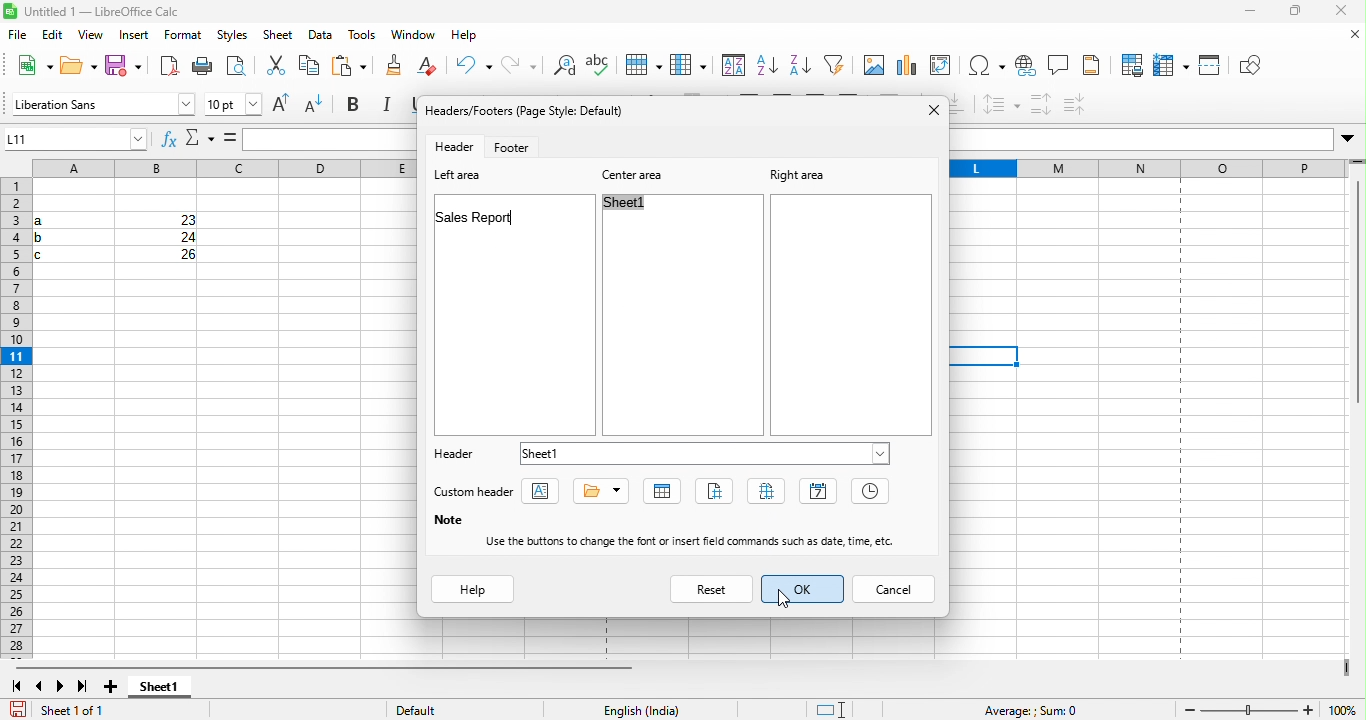 The width and height of the screenshot is (1366, 720). Describe the element at coordinates (166, 67) in the screenshot. I see `export directly as pdf` at that location.